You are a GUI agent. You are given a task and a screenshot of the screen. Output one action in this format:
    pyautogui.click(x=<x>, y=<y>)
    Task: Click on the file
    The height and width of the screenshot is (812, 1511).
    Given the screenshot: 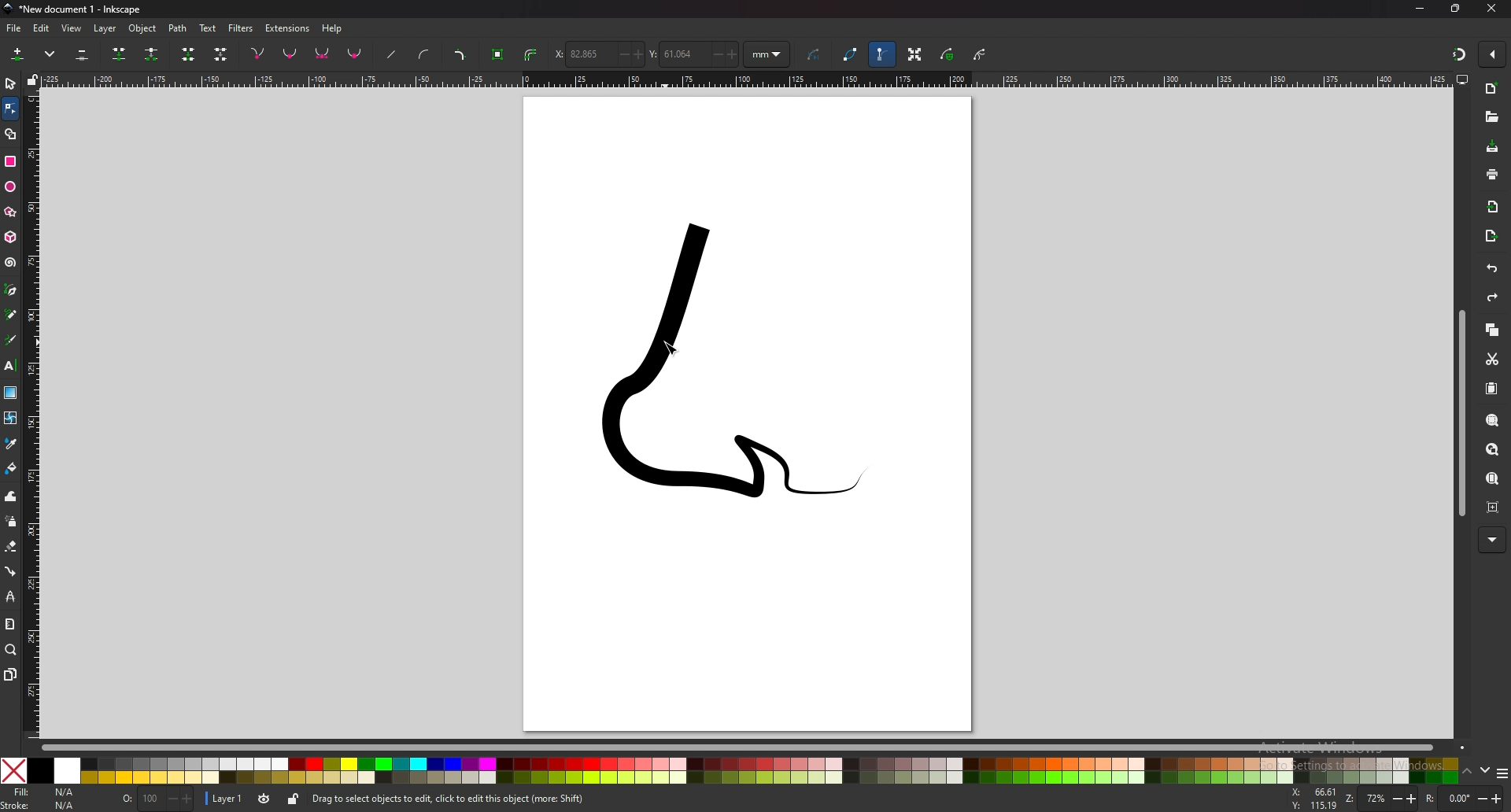 What is the action you would take?
    pyautogui.click(x=14, y=28)
    